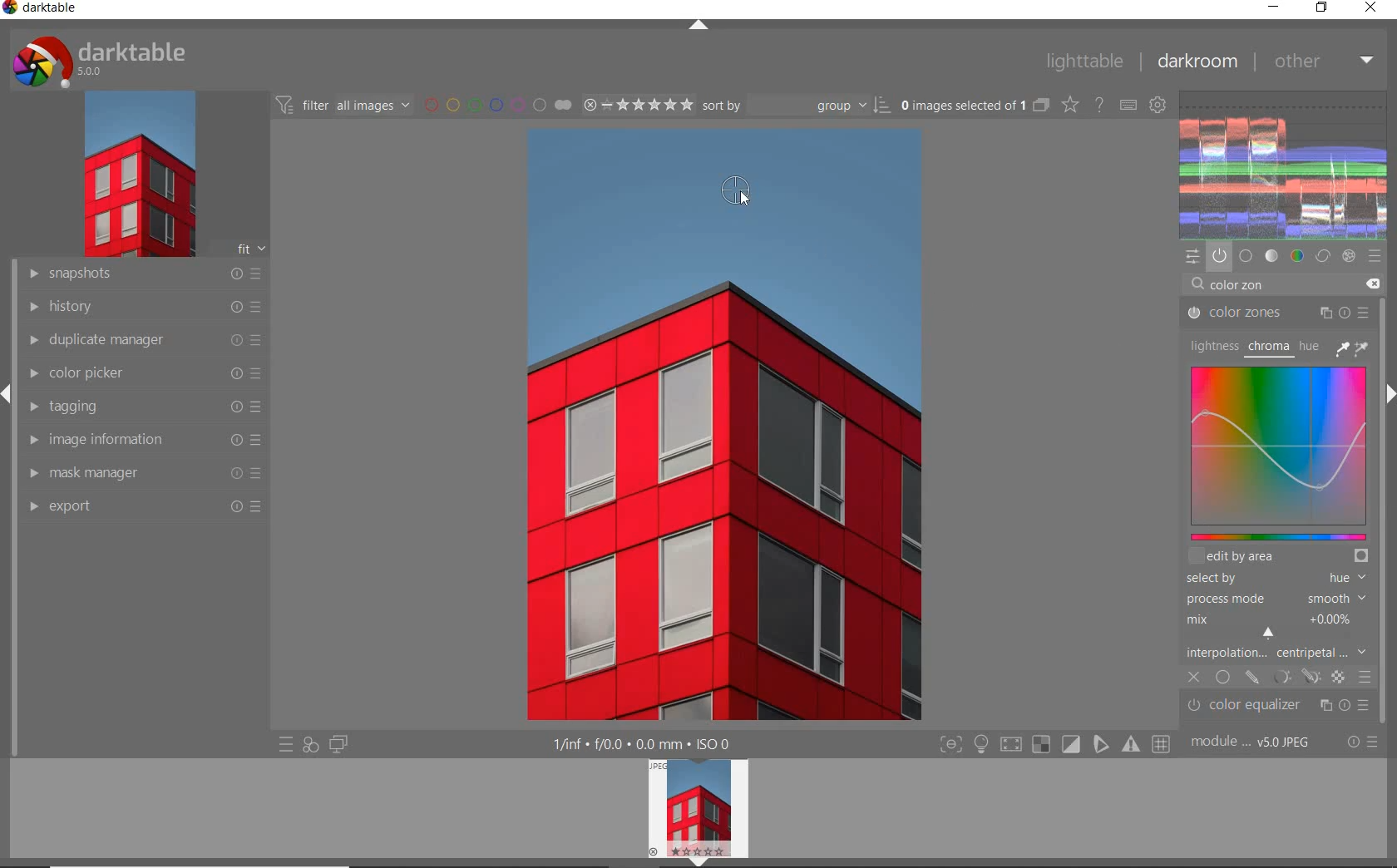 The width and height of the screenshot is (1397, 868). Describe the element at coordinates (1354, 348) in the screenshot. I see `PICKER TOOLS` at that location.